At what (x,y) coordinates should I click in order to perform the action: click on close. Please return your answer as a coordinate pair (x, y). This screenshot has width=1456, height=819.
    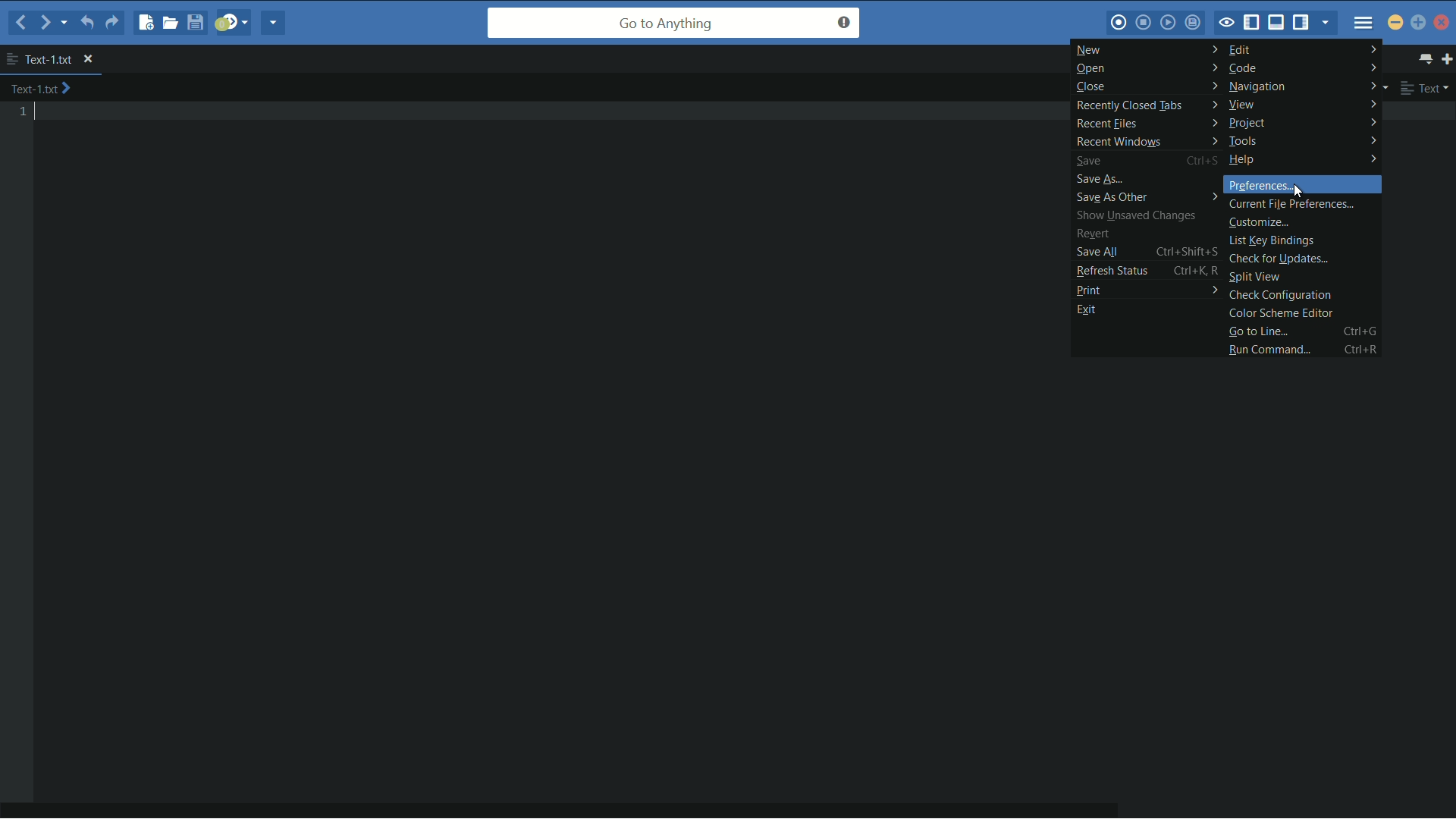
    Looking at the image, I should click on (1146, 88).